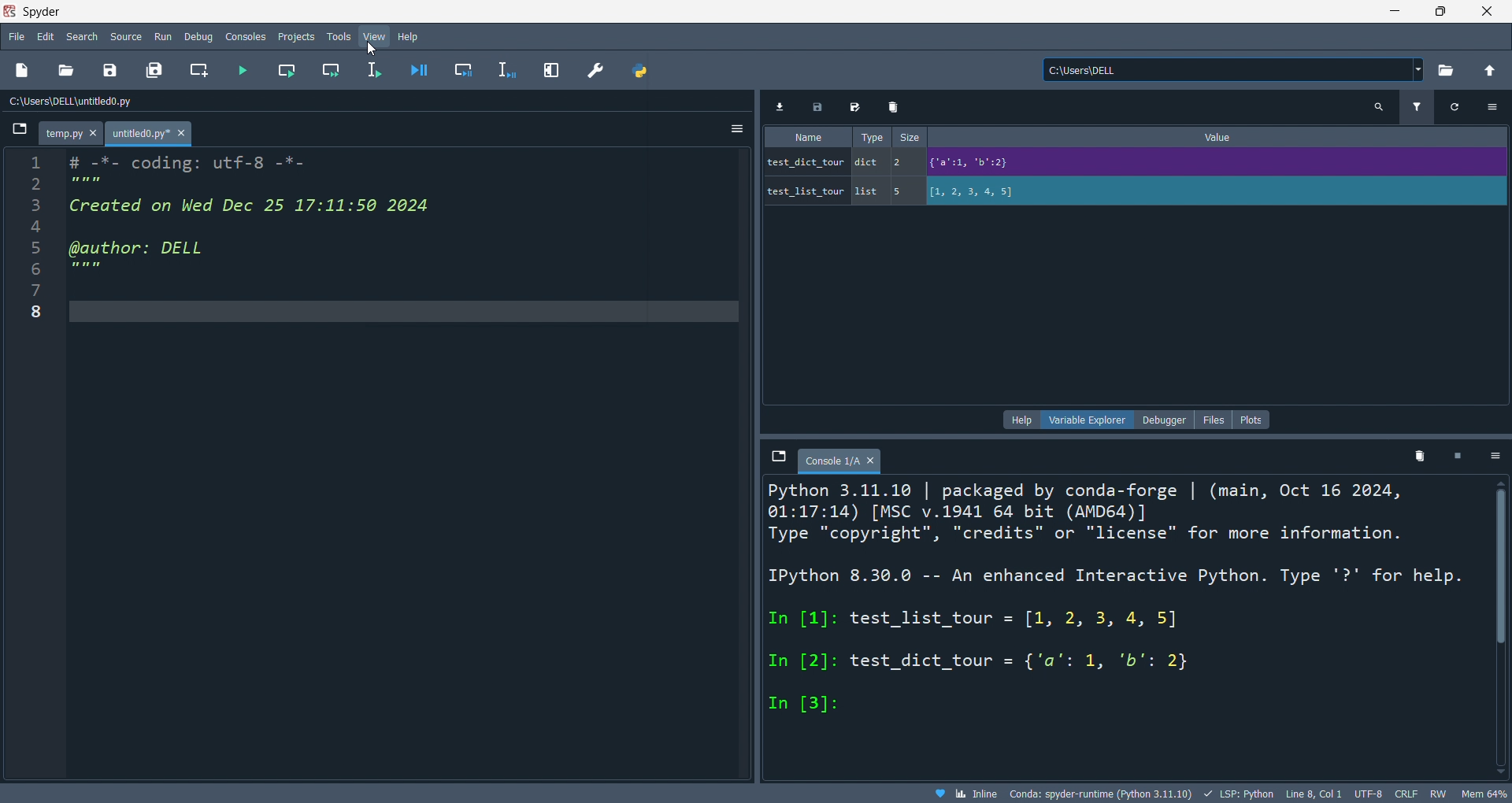 Image resolution: width=1512 pixels, height=803 pixels. What do you see at coordinates (91, 102) in the screenshot?
I see `C:\Users\DELL\untitled0.py` at bounding box center [91, 102].